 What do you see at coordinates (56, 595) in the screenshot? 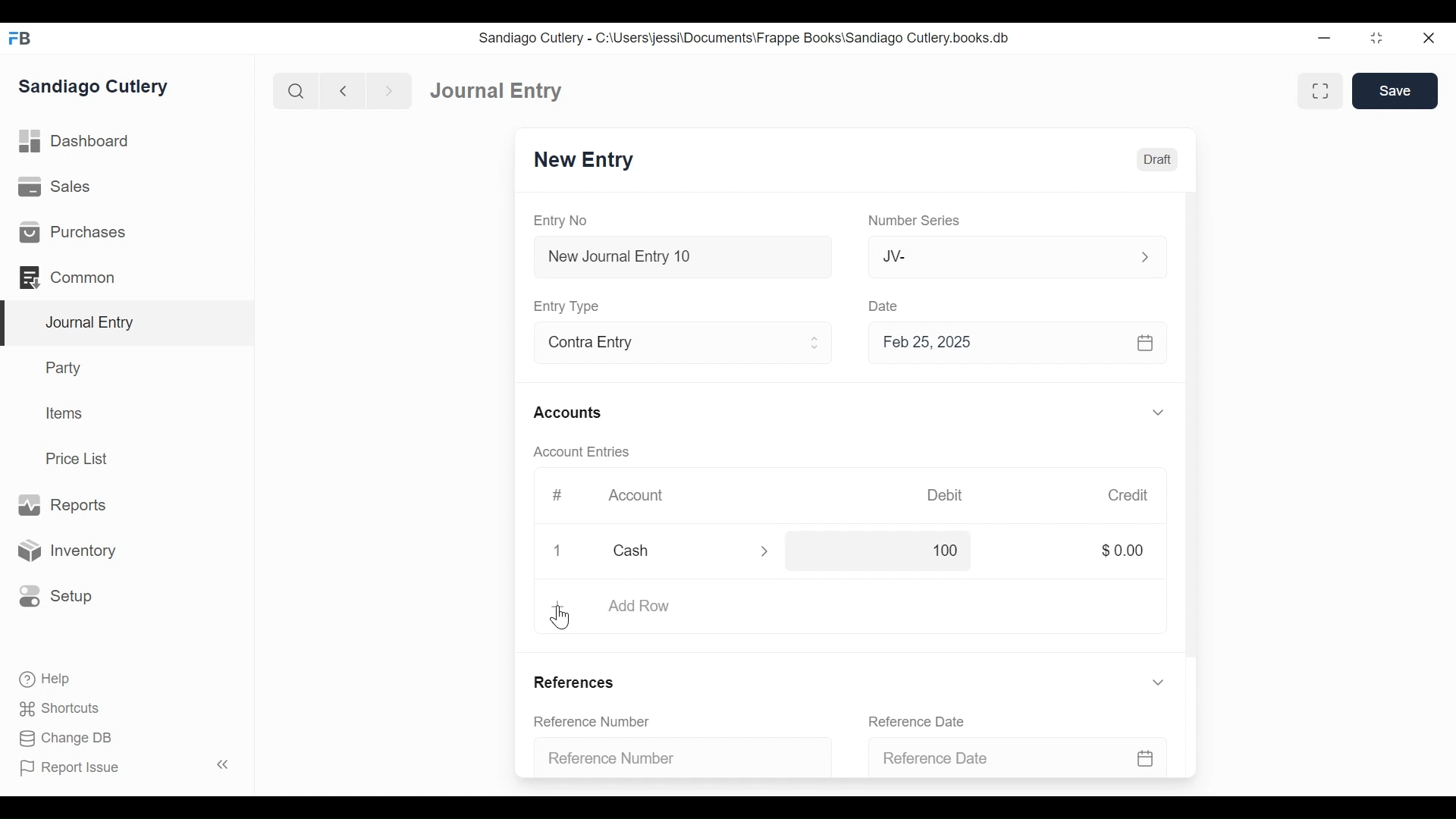
I see `Setup` at bounding box center [56, 595].